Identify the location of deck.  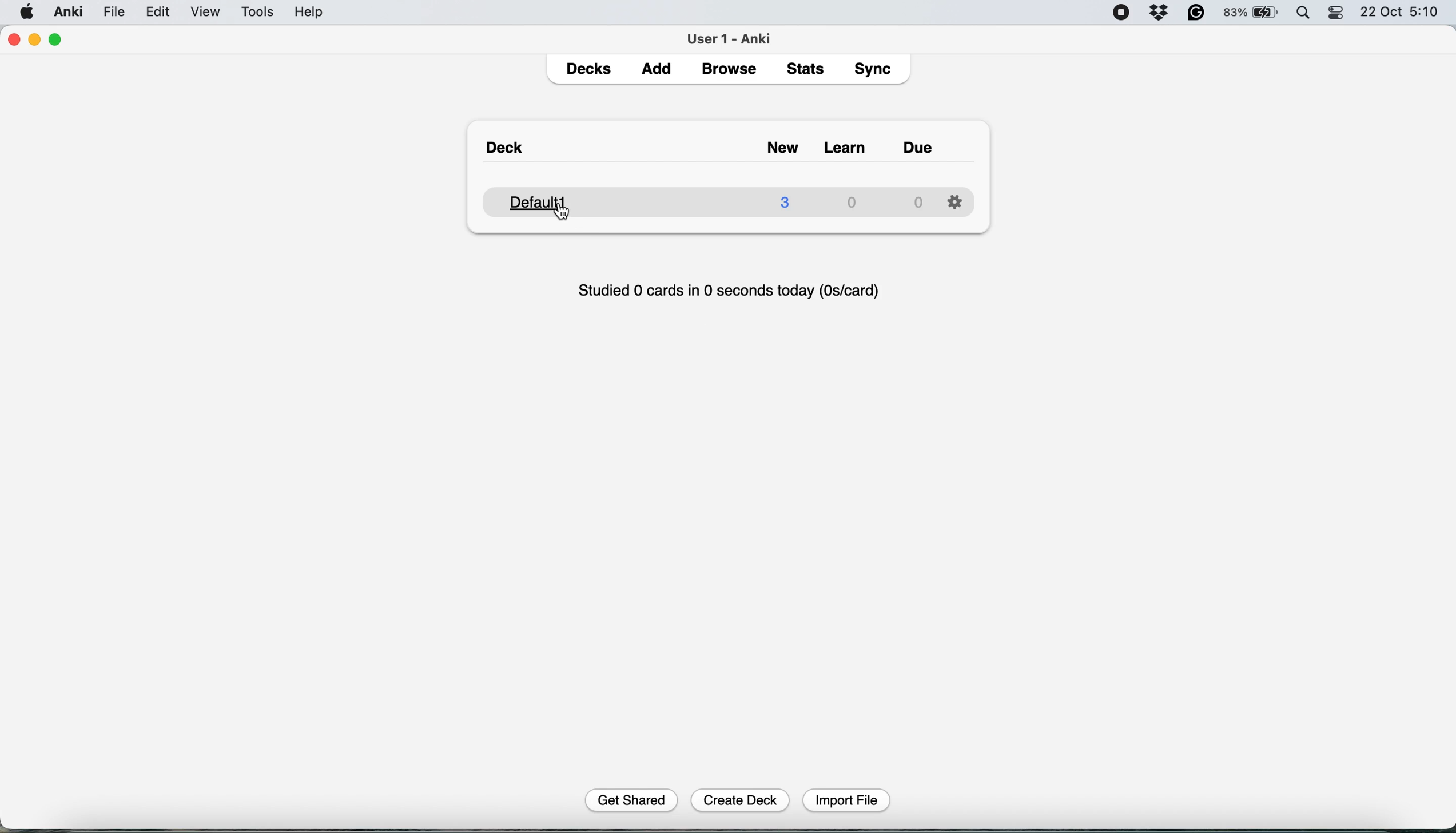
(706, 200).